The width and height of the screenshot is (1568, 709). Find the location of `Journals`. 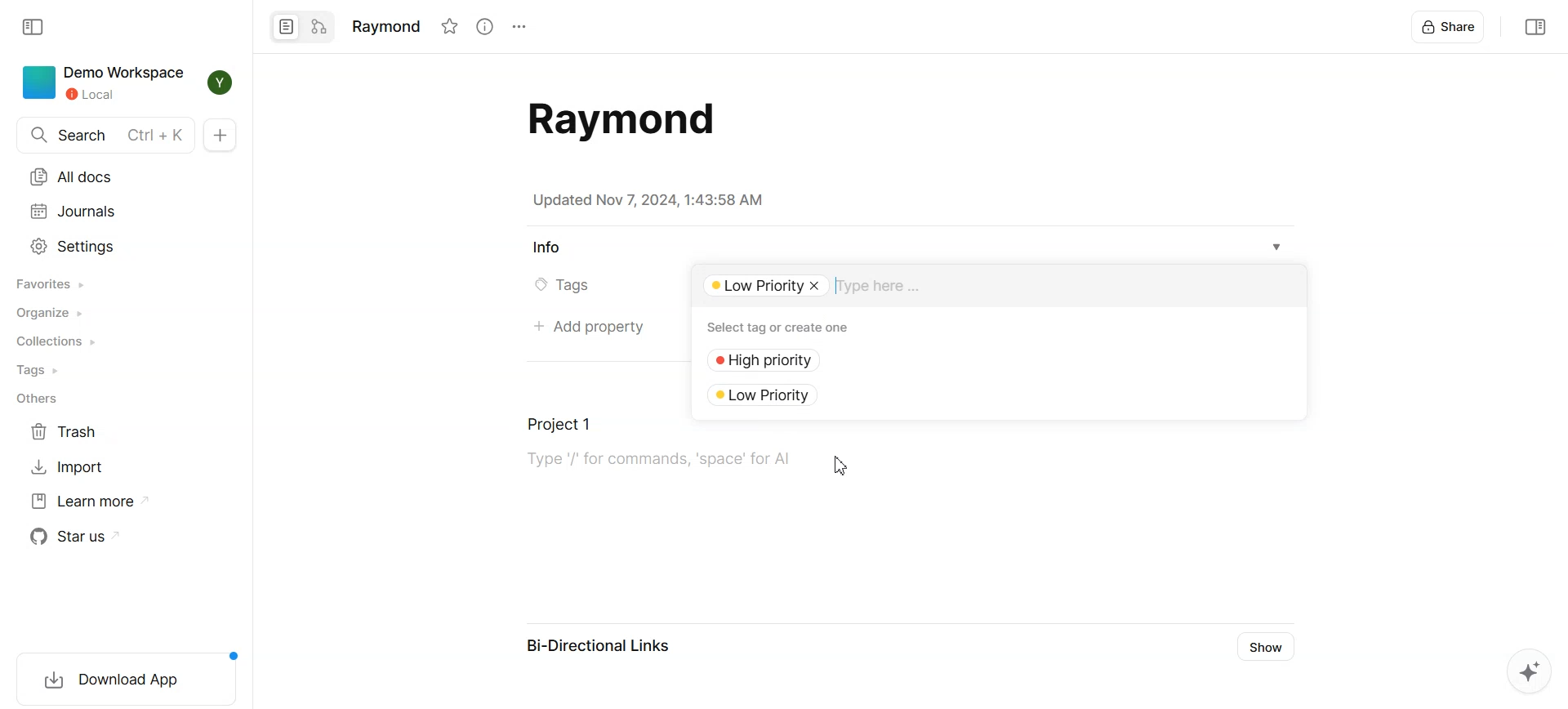

Journals is located at coordinates (73, 212).